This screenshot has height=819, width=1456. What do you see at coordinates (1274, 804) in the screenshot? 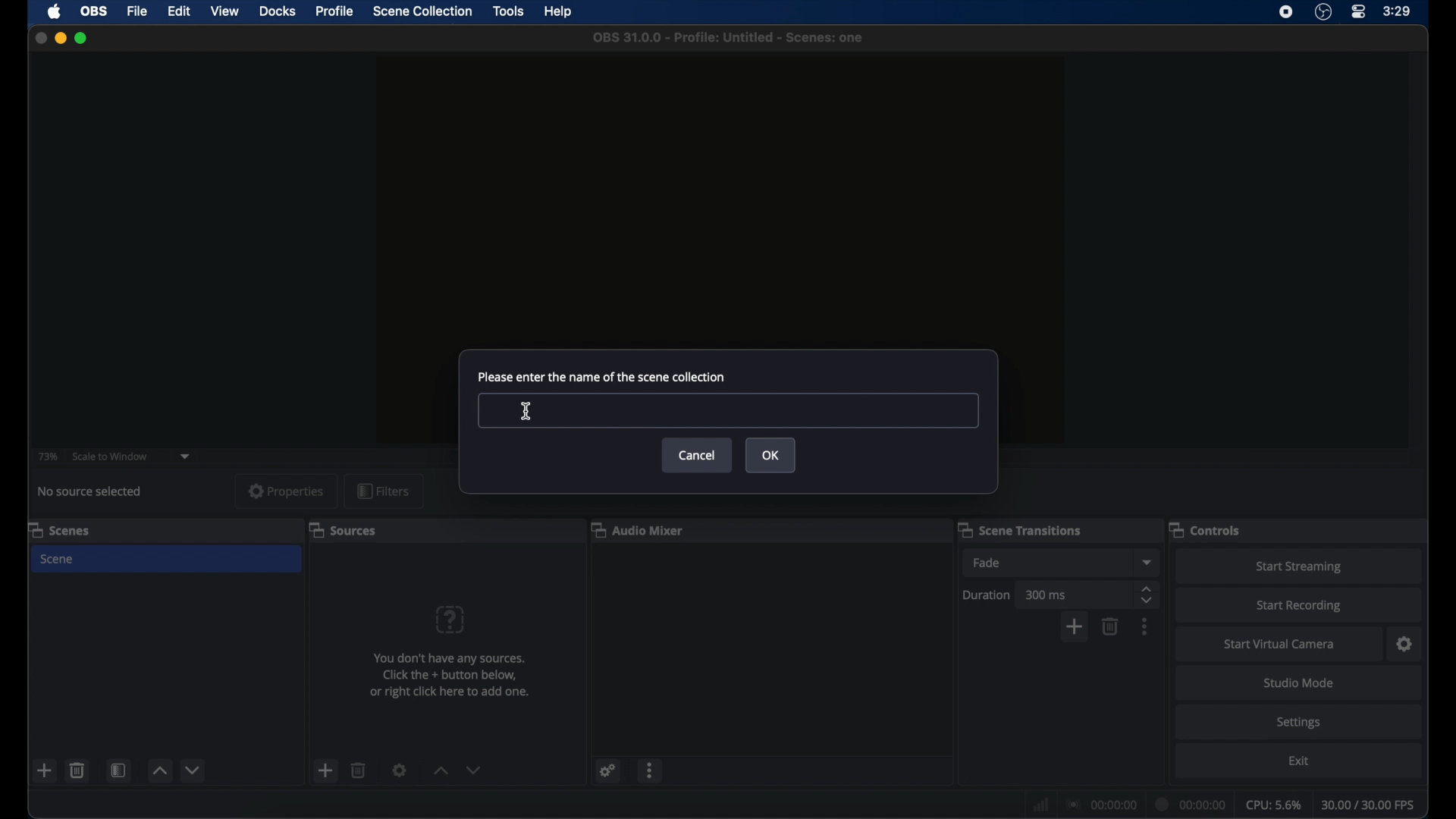
I see `cpu` at bounding box center [1274, 804].